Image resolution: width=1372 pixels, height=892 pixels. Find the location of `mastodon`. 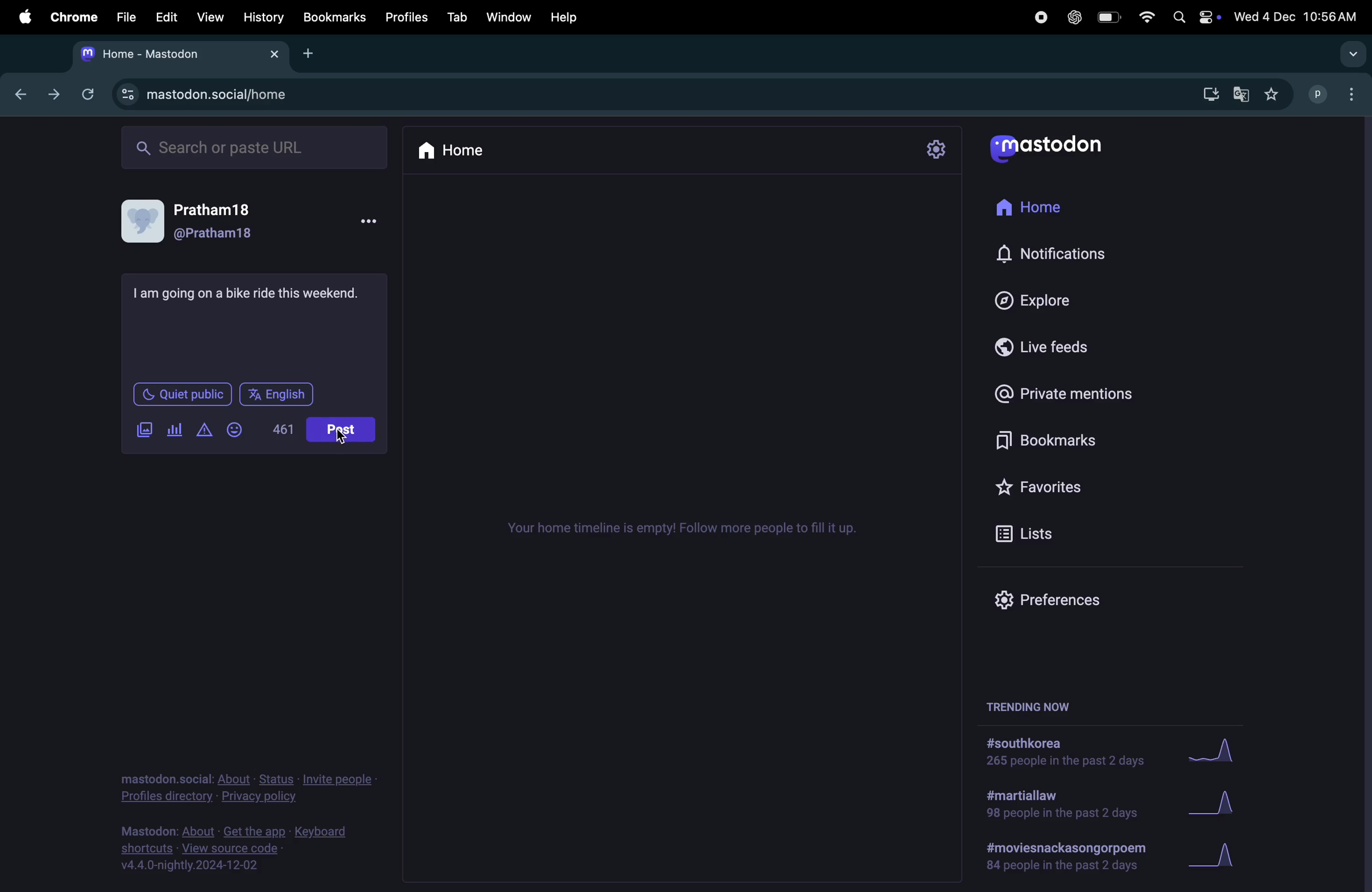

mastodon is located at coordinates (1047, 147).